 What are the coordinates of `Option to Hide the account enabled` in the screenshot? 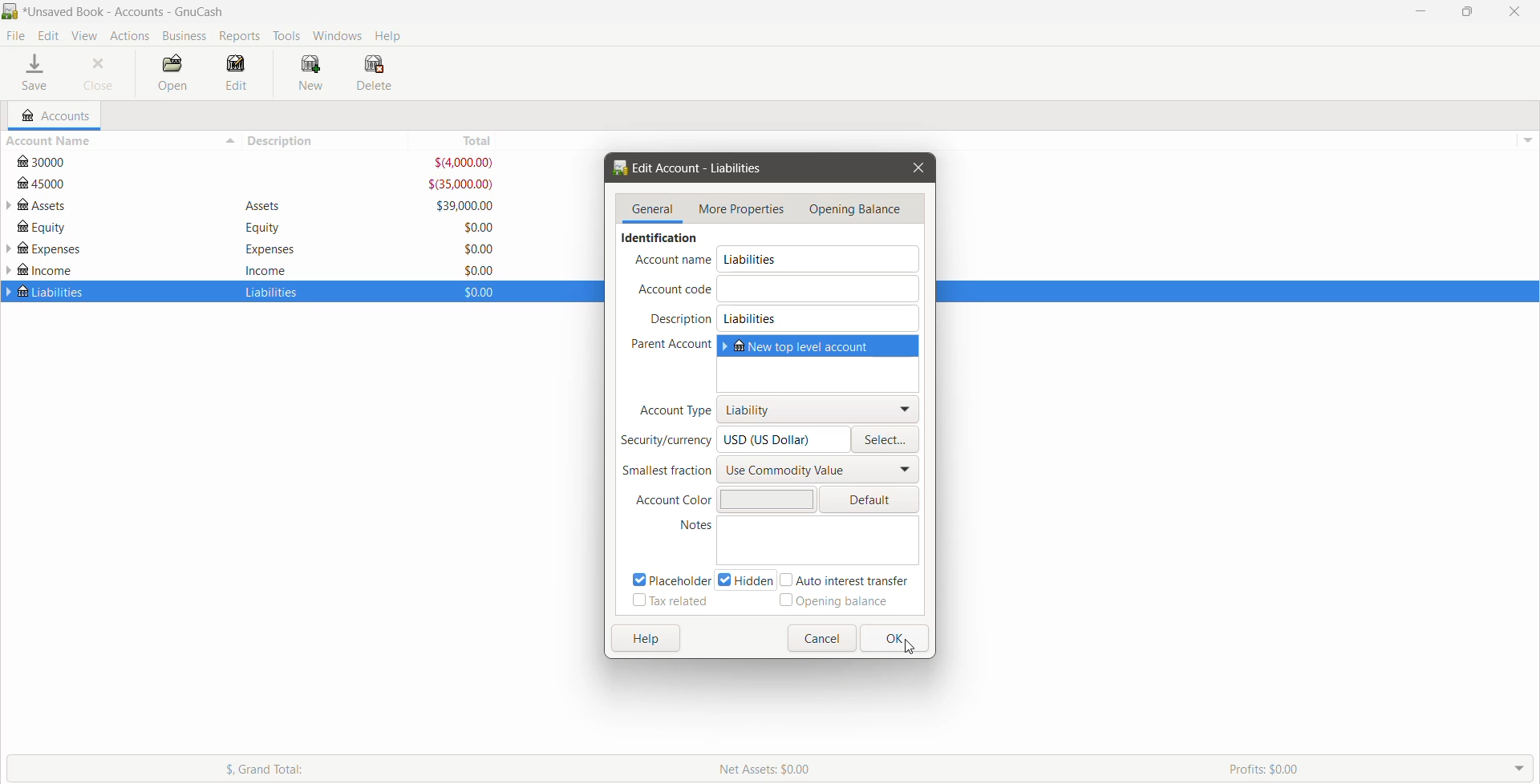 It's located at (748, 580).